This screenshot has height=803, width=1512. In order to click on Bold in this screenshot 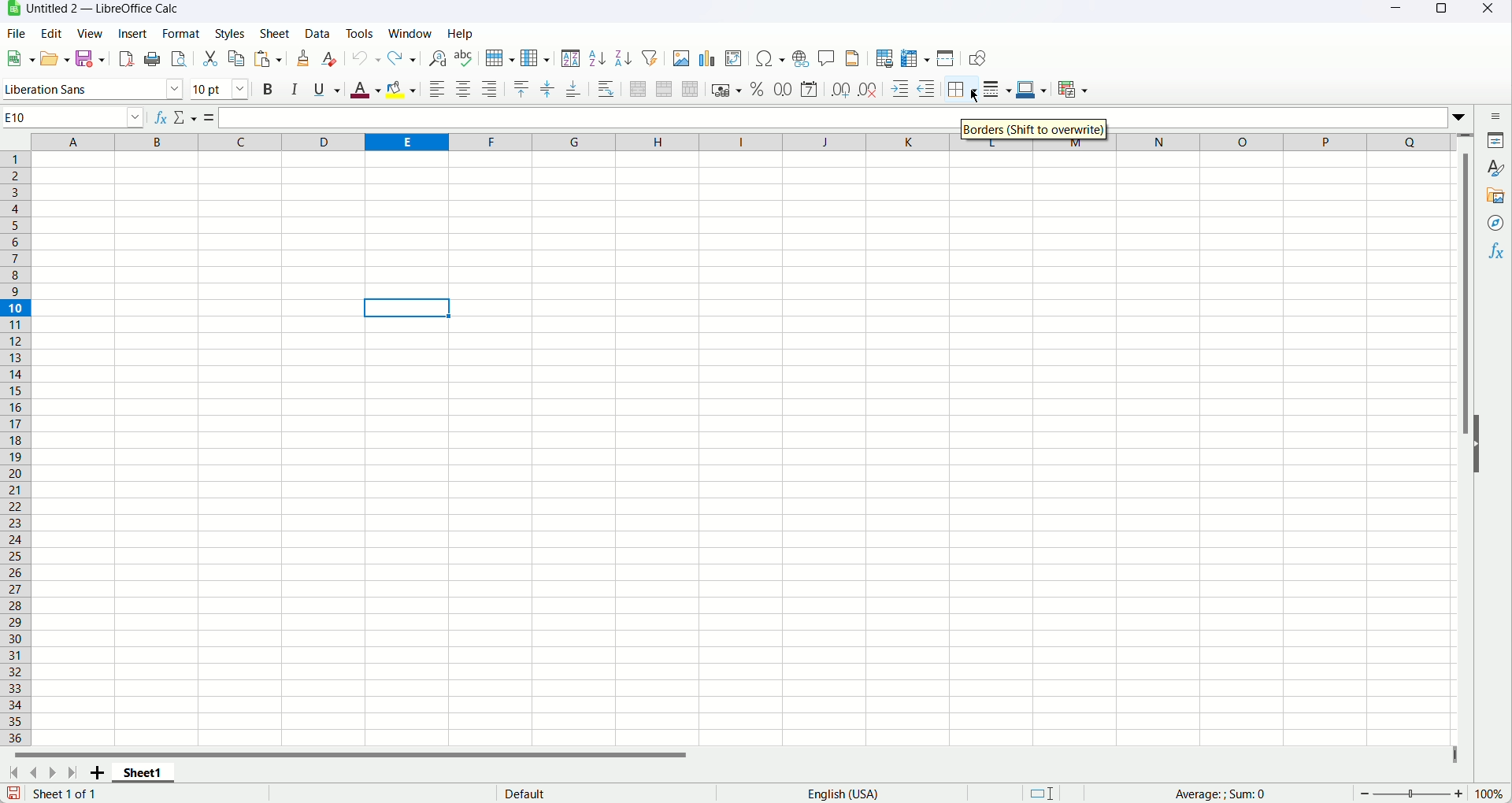, I will do `click(268, 91)`.